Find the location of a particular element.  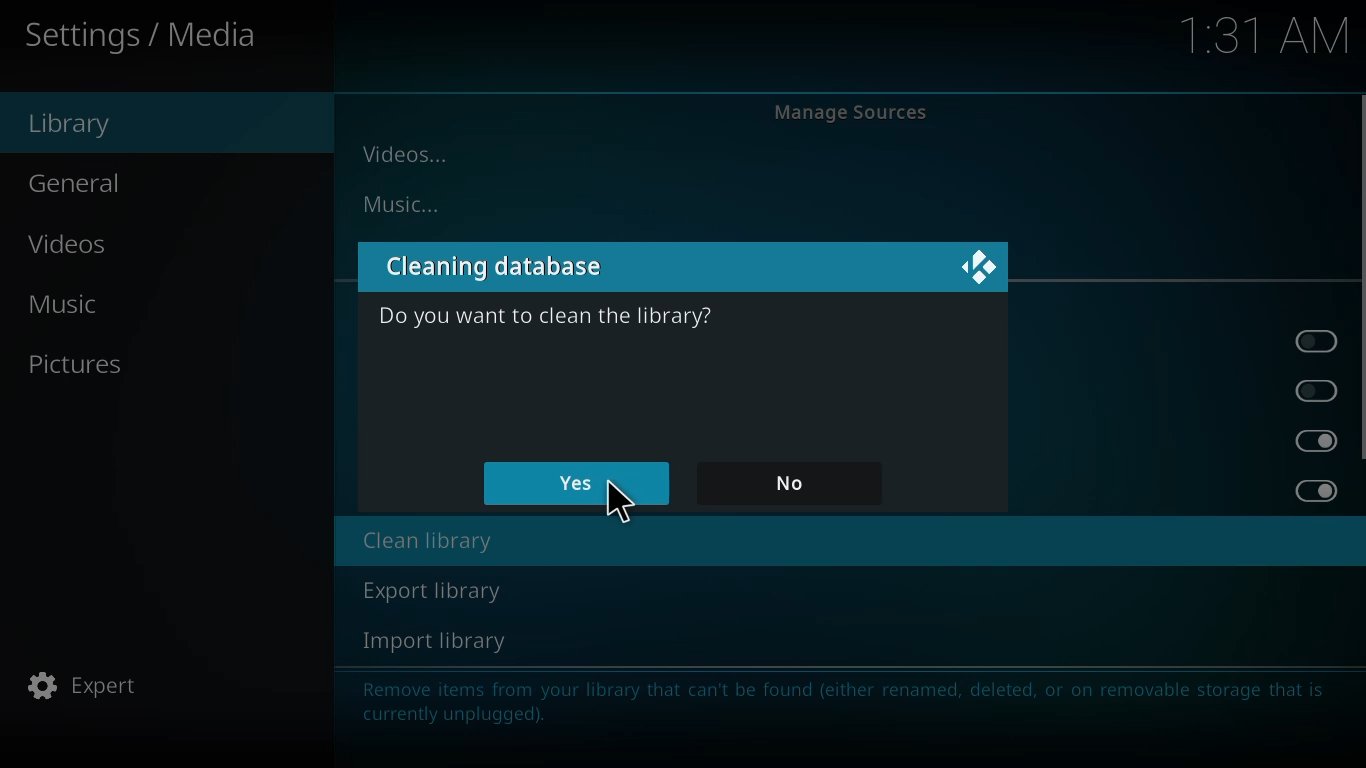

Pictures is located at coordinates (83, 370).